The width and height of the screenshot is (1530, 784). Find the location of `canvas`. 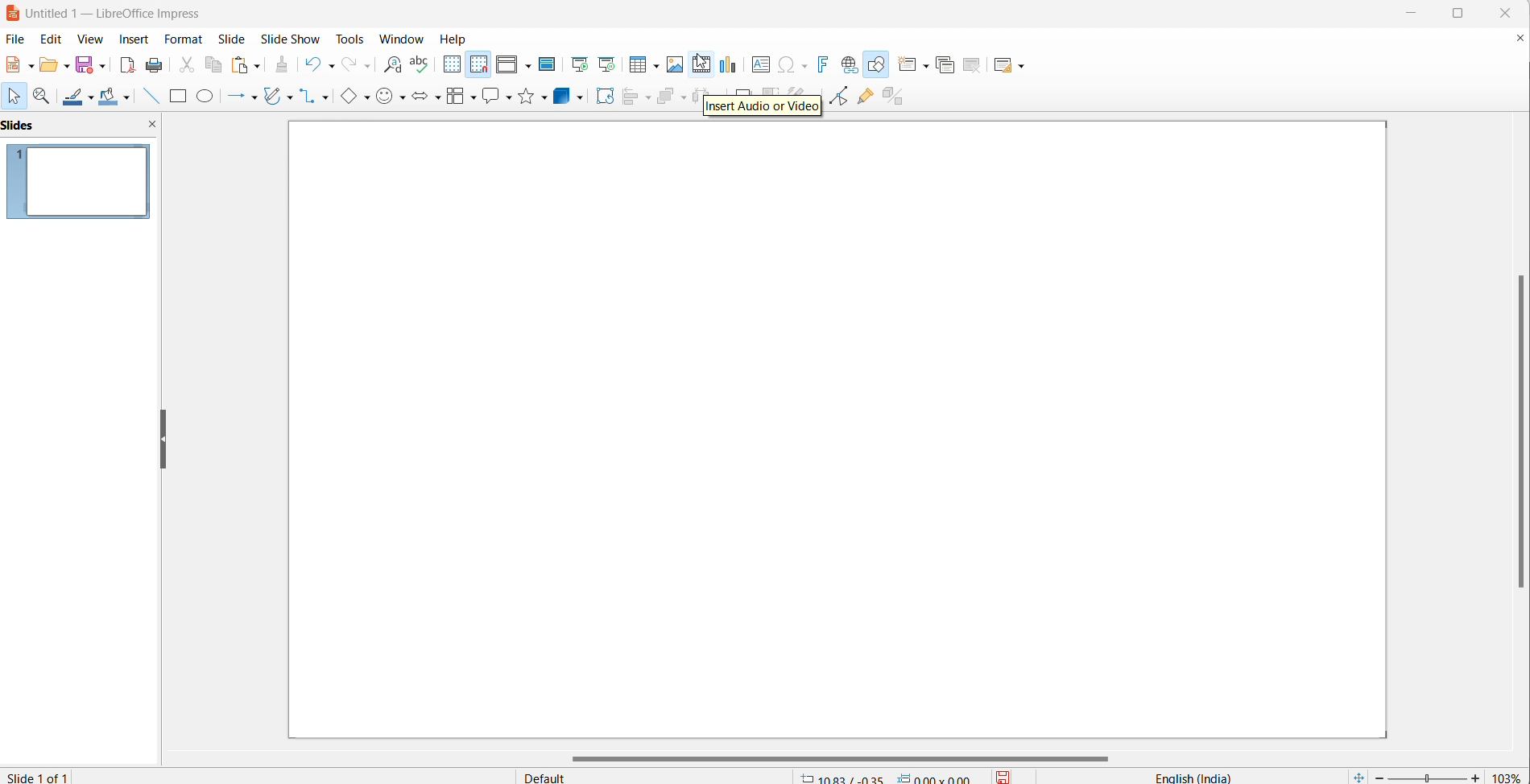

canvas is located at coordinates (837, 431).